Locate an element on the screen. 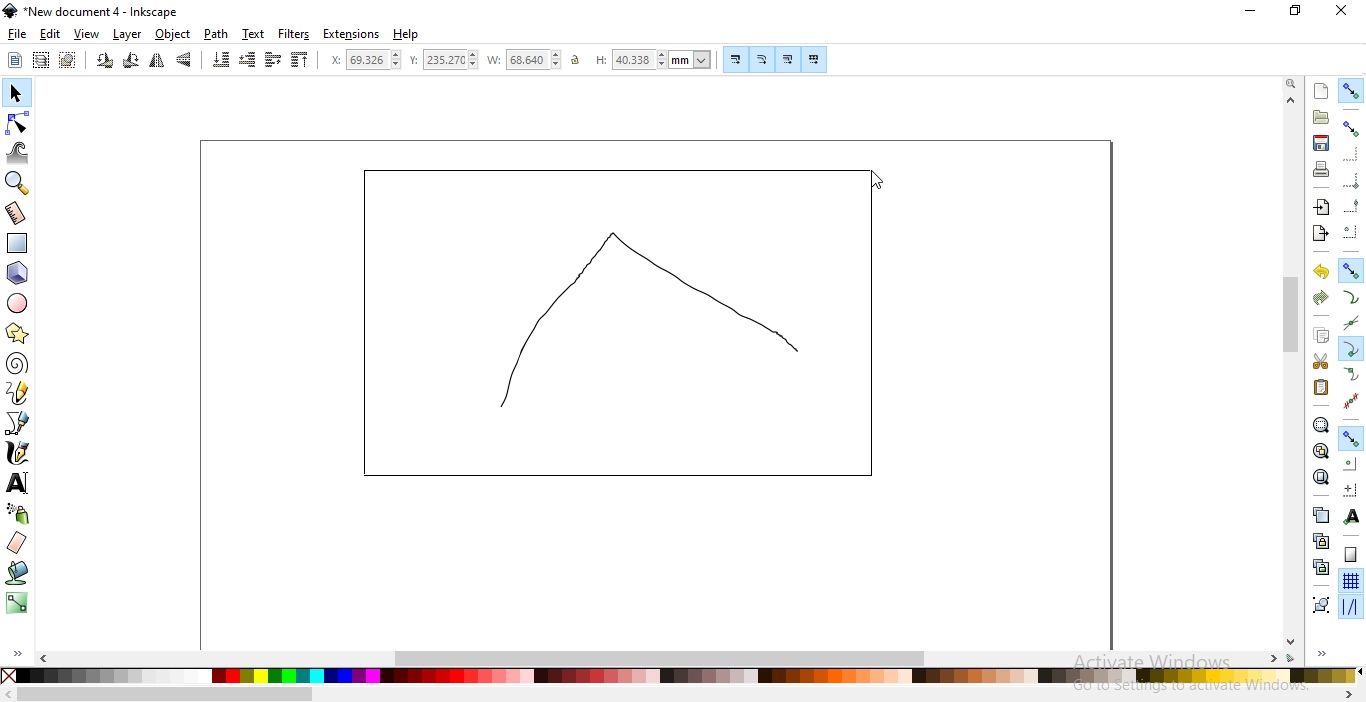 Image resolution: width=1366 pixels, height=702 pixels. select all objects in visible a nd unloc is located at coordinates (40, 60).